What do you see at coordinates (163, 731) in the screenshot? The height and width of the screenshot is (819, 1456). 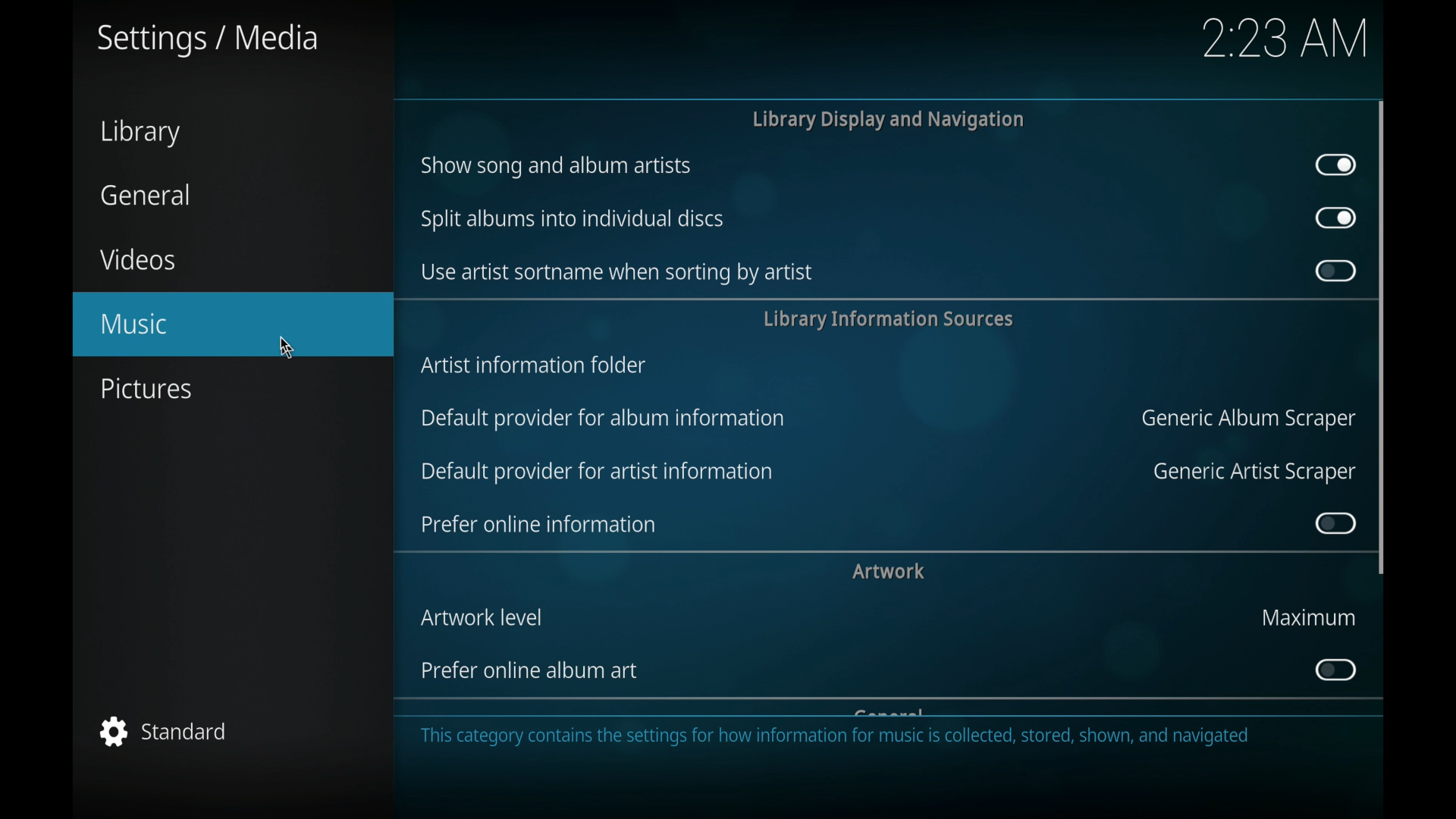 I see `standard` at bounding box center [163, 731].